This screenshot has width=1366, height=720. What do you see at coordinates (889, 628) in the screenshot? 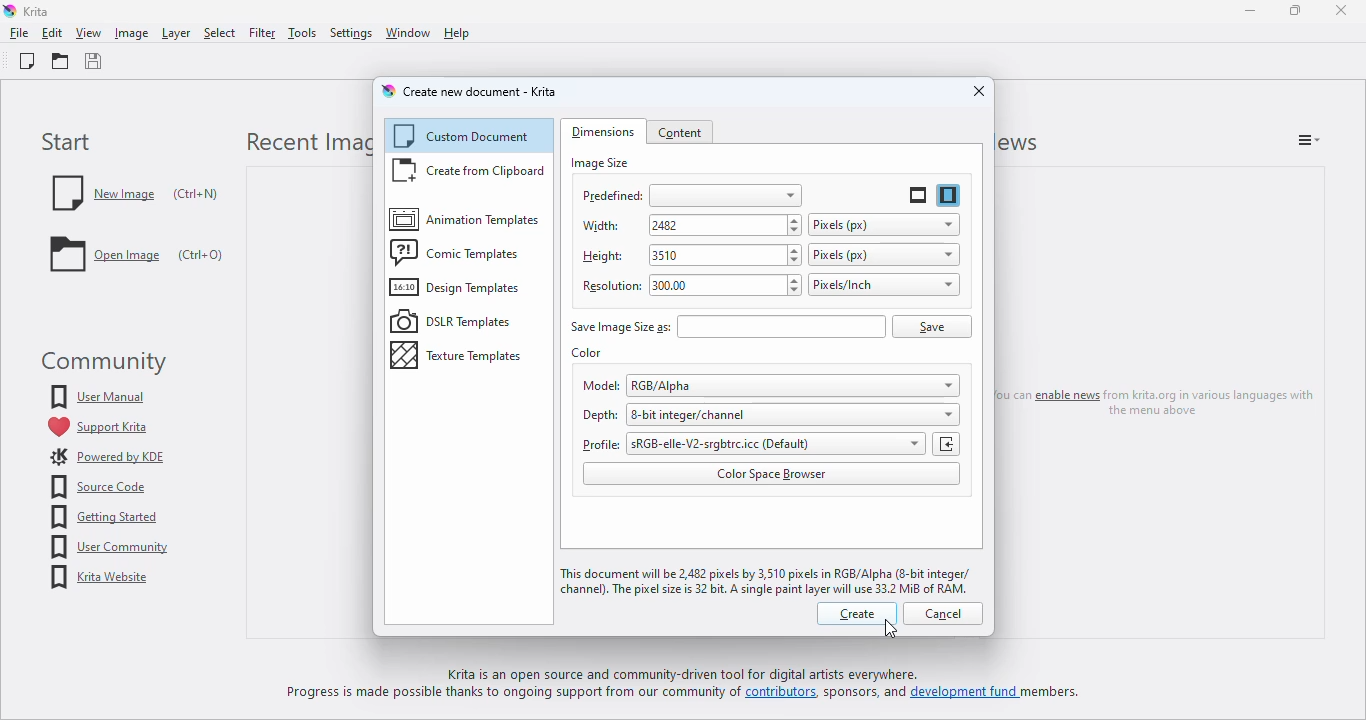
I see `cursor` at bounding box center [889, 628].